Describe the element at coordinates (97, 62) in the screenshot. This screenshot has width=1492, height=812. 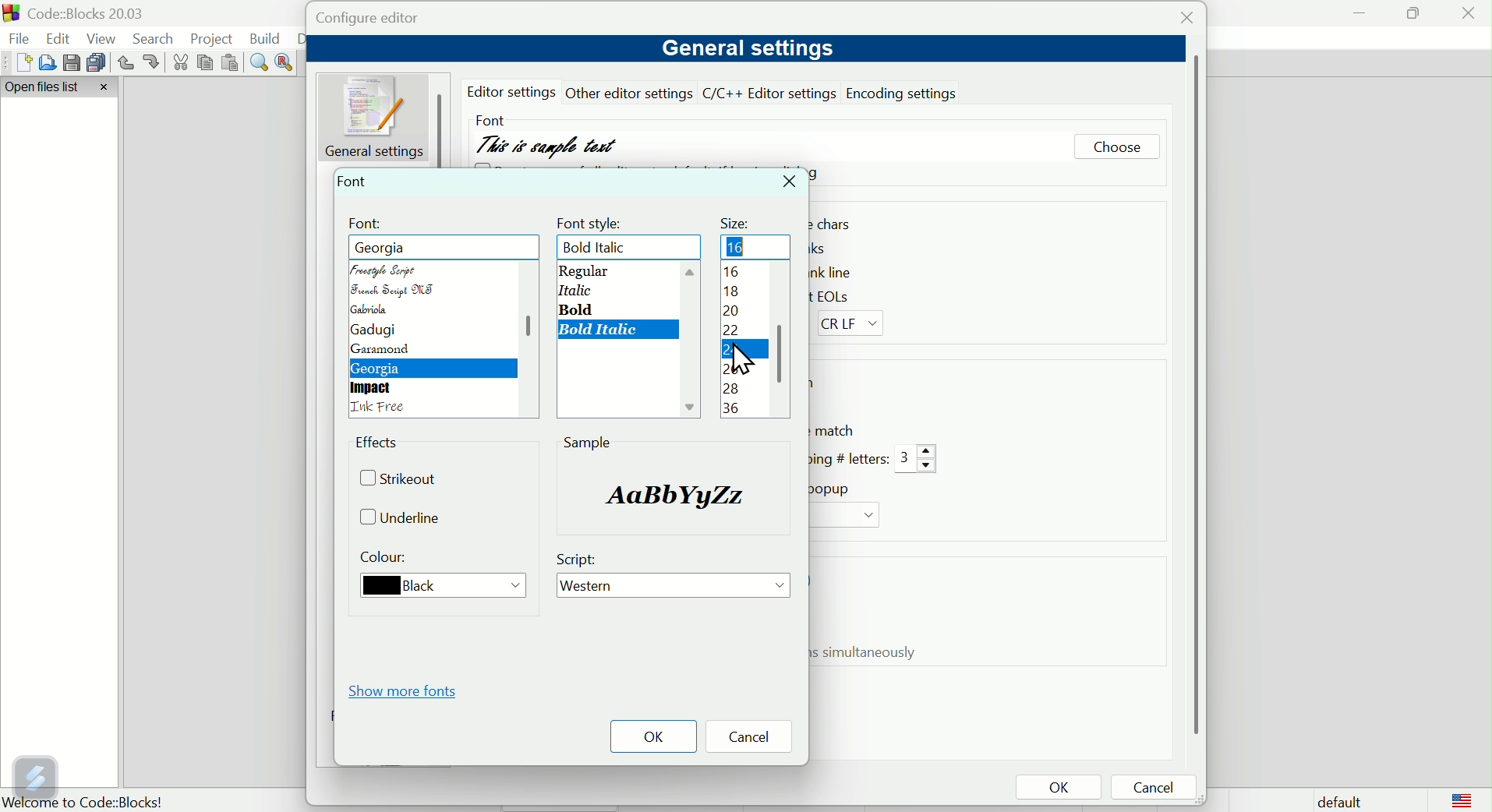
I see `Save multiple` at that location.